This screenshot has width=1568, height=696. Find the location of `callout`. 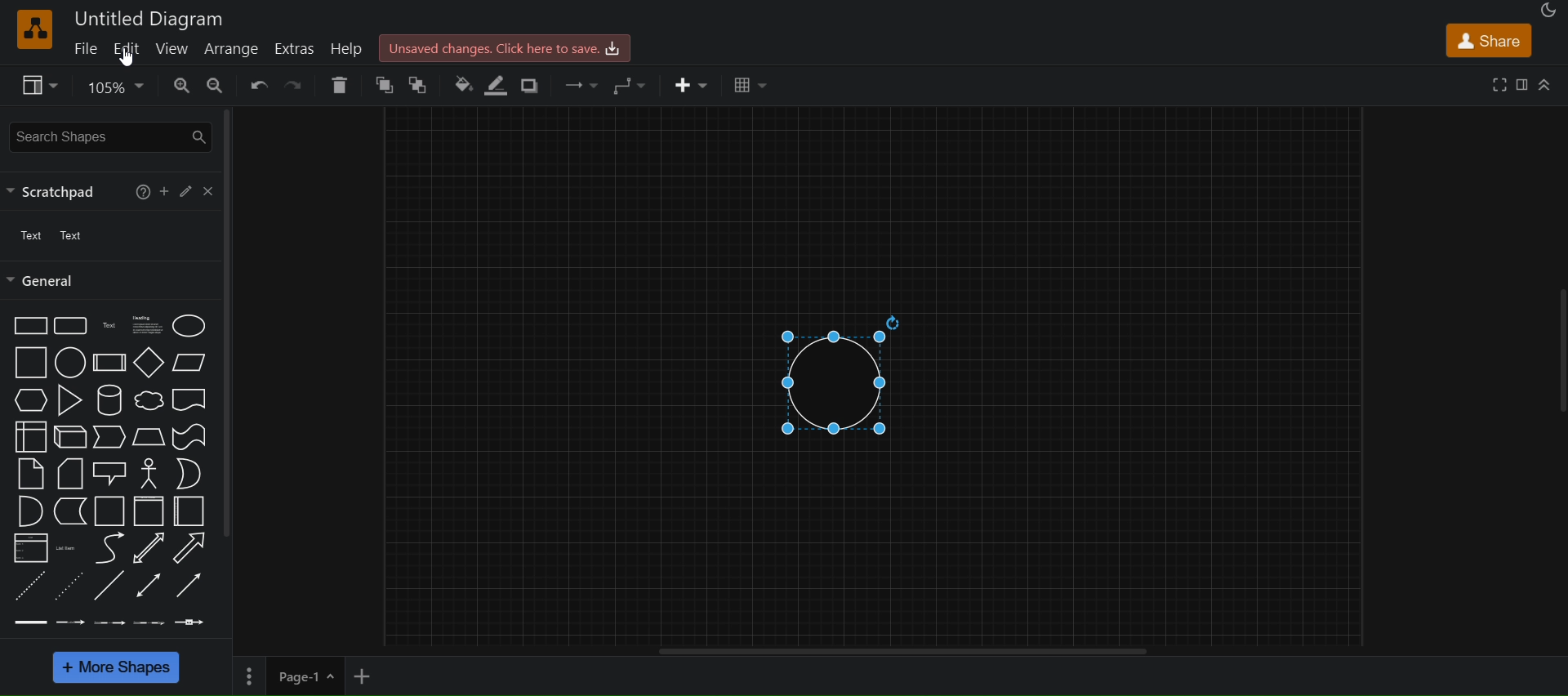

callout is located at coordinates (148, 474).